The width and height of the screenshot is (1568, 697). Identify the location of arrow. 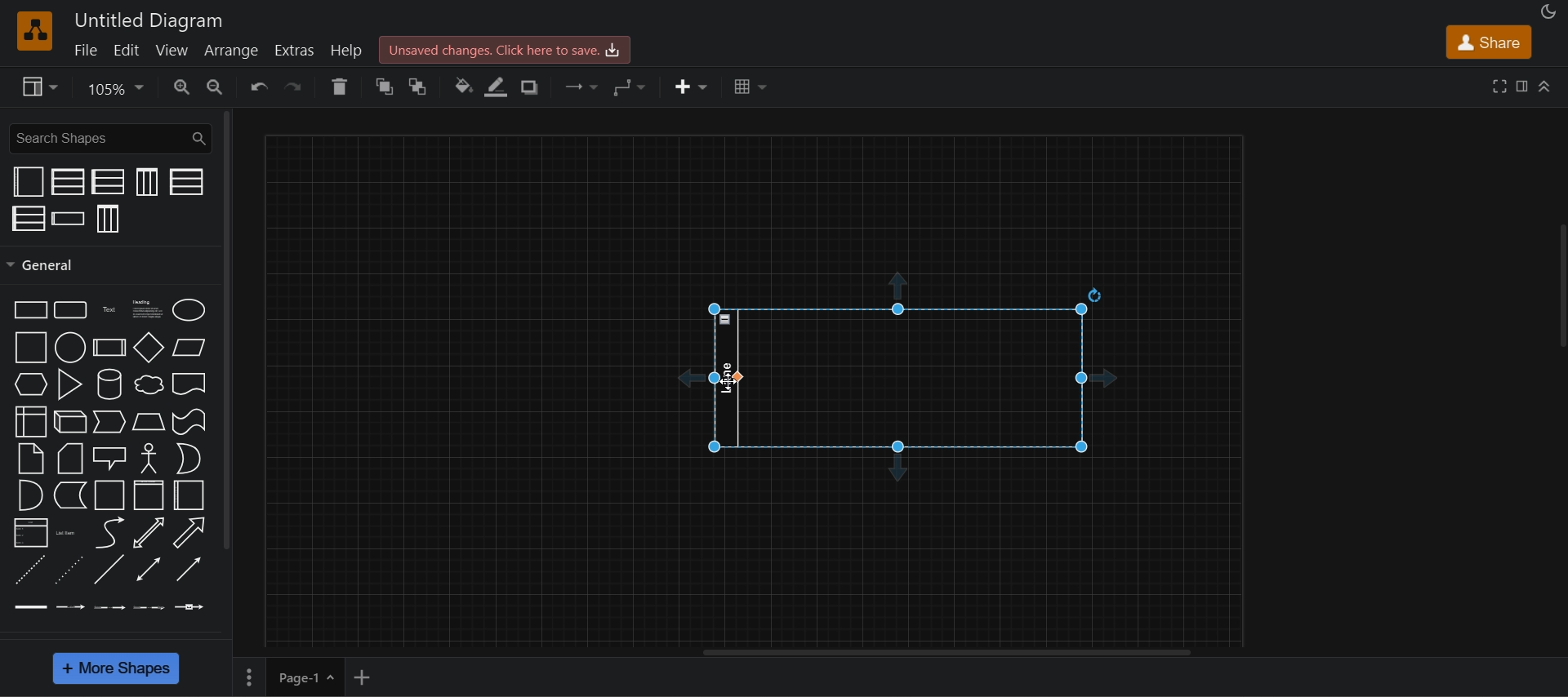
(190, 532).